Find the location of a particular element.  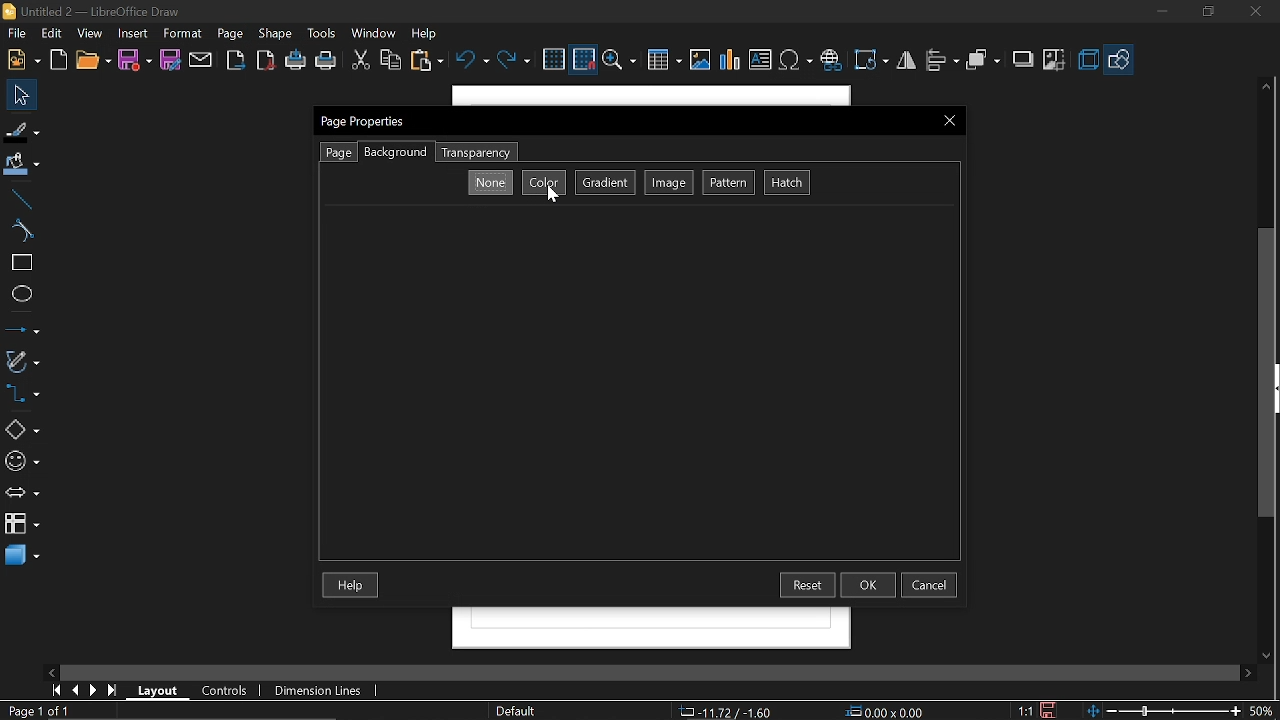

Untitled 2 - LibreOffice Draw is located at coordinates (101, 10).